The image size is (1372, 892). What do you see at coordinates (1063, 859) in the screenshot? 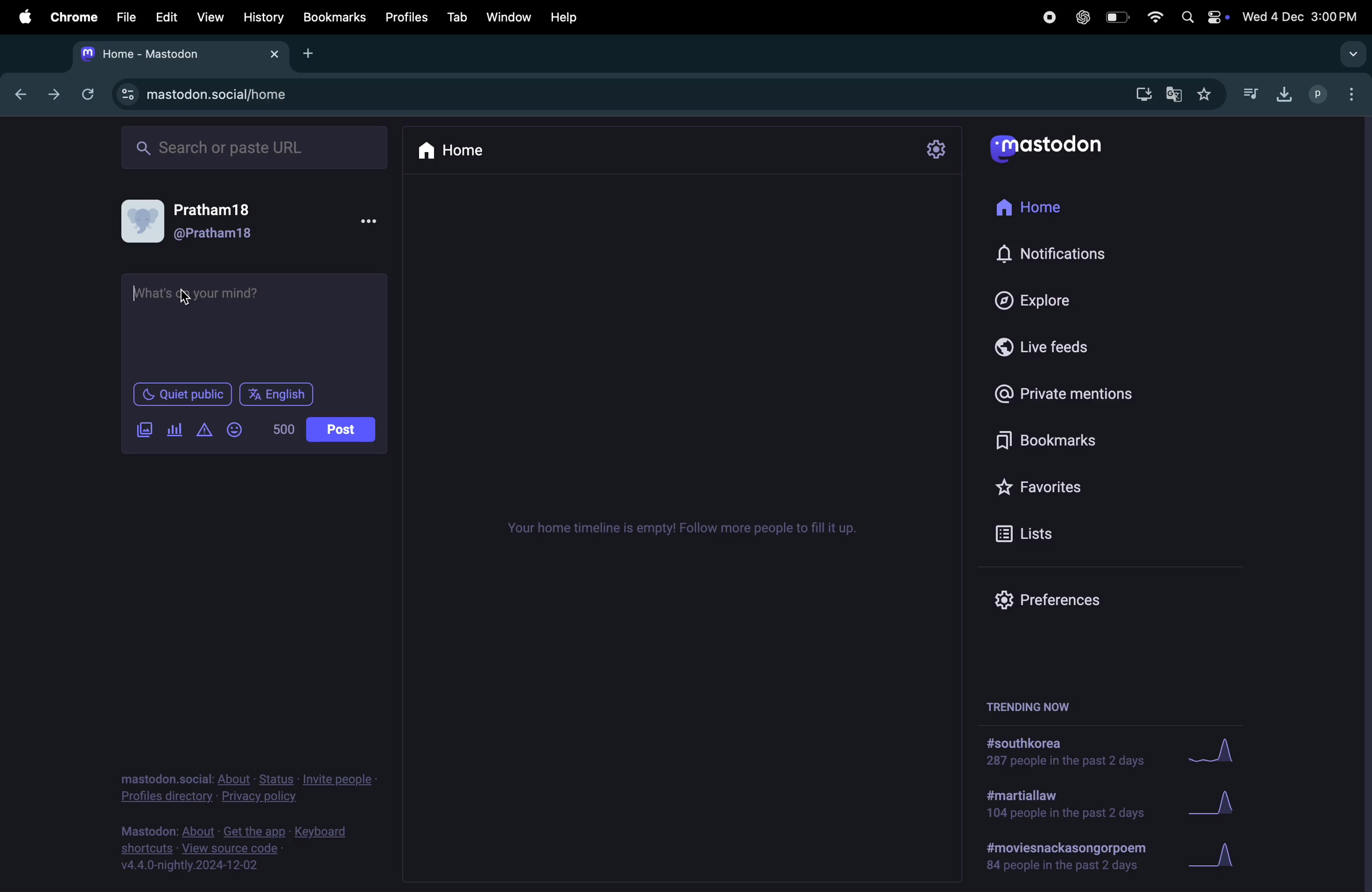
I see `#movies and poem` at bounding box center [1063, 859].